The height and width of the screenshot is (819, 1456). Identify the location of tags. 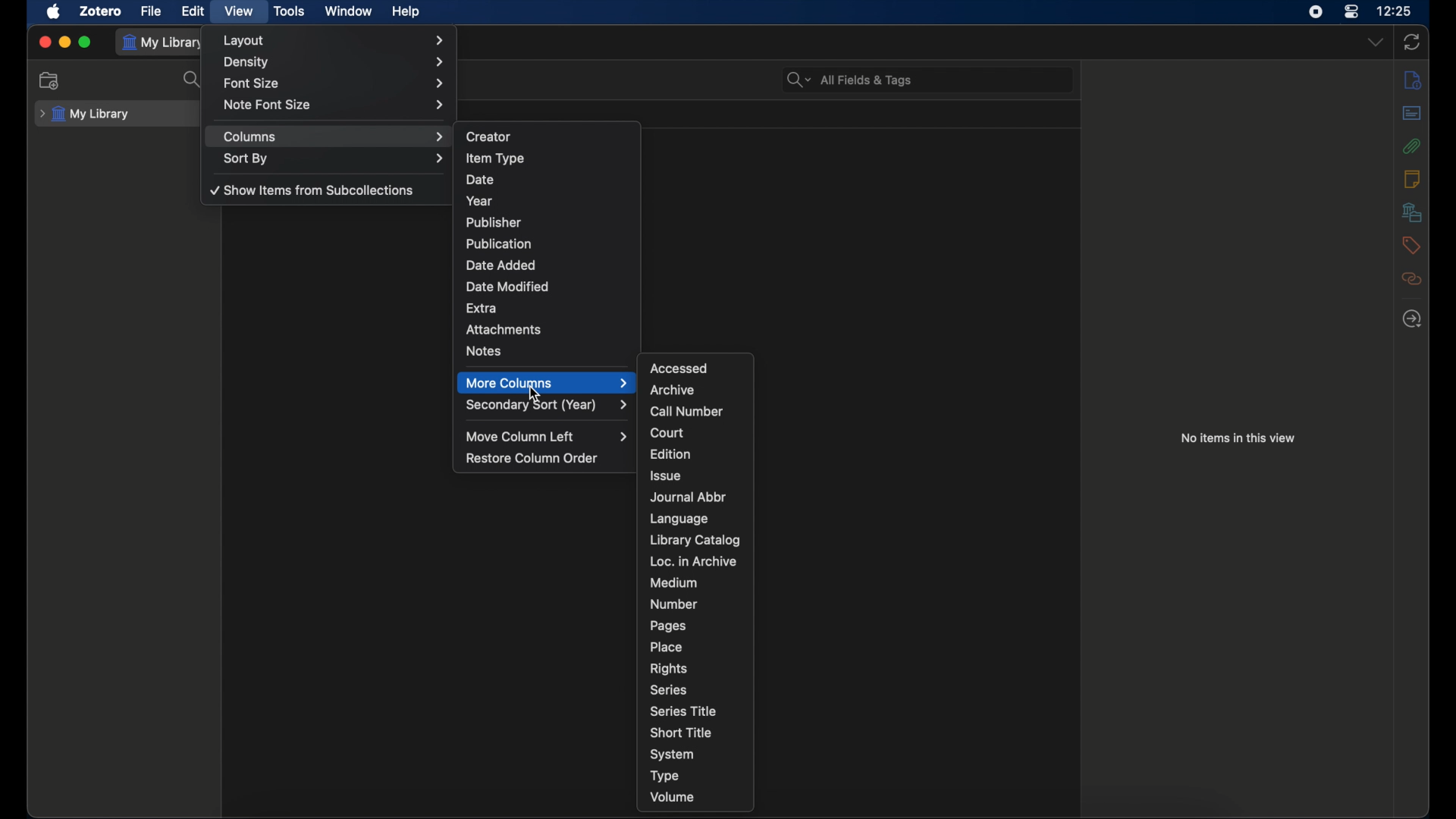
(1410, 245).